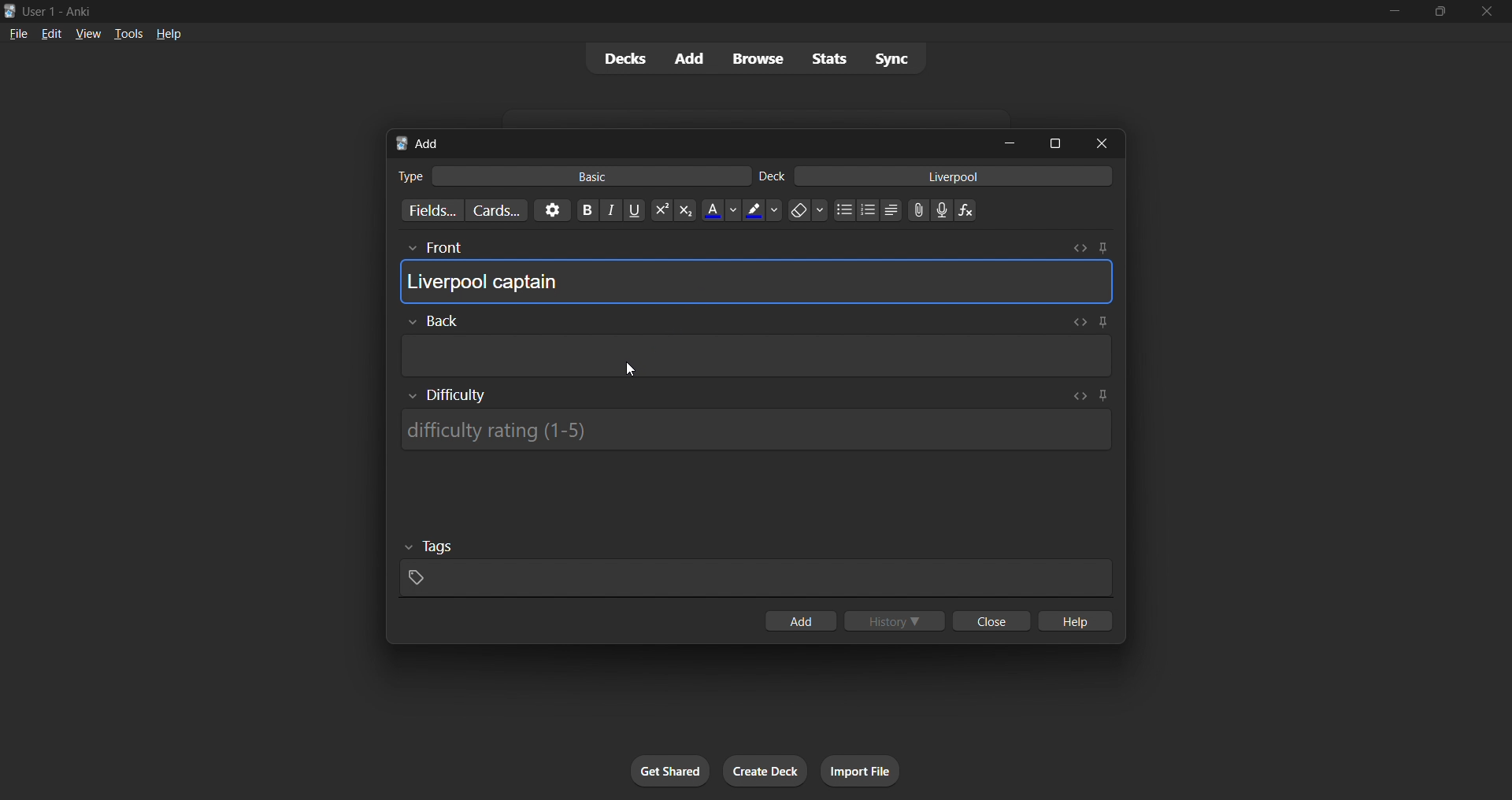 This screenshot has height=800, width=1512. Describe the element at coordinates (809, 210) in the screenshot. I see `Remove formatting options` at that location.